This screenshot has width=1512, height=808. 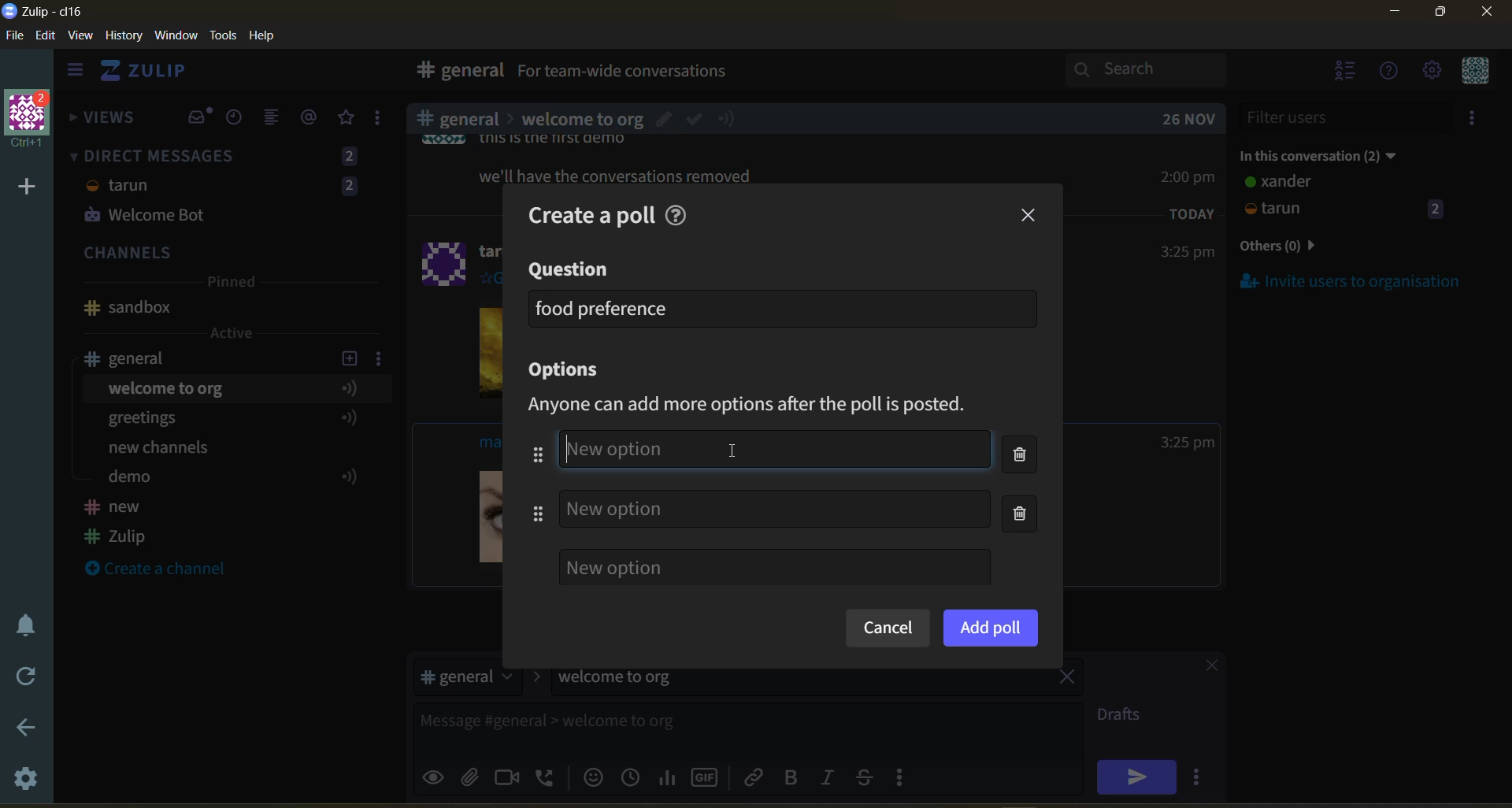 What do you see at coordinates (869, 776) in the screenshot?
I see `strikethrough` at bounding box center [869, 776].